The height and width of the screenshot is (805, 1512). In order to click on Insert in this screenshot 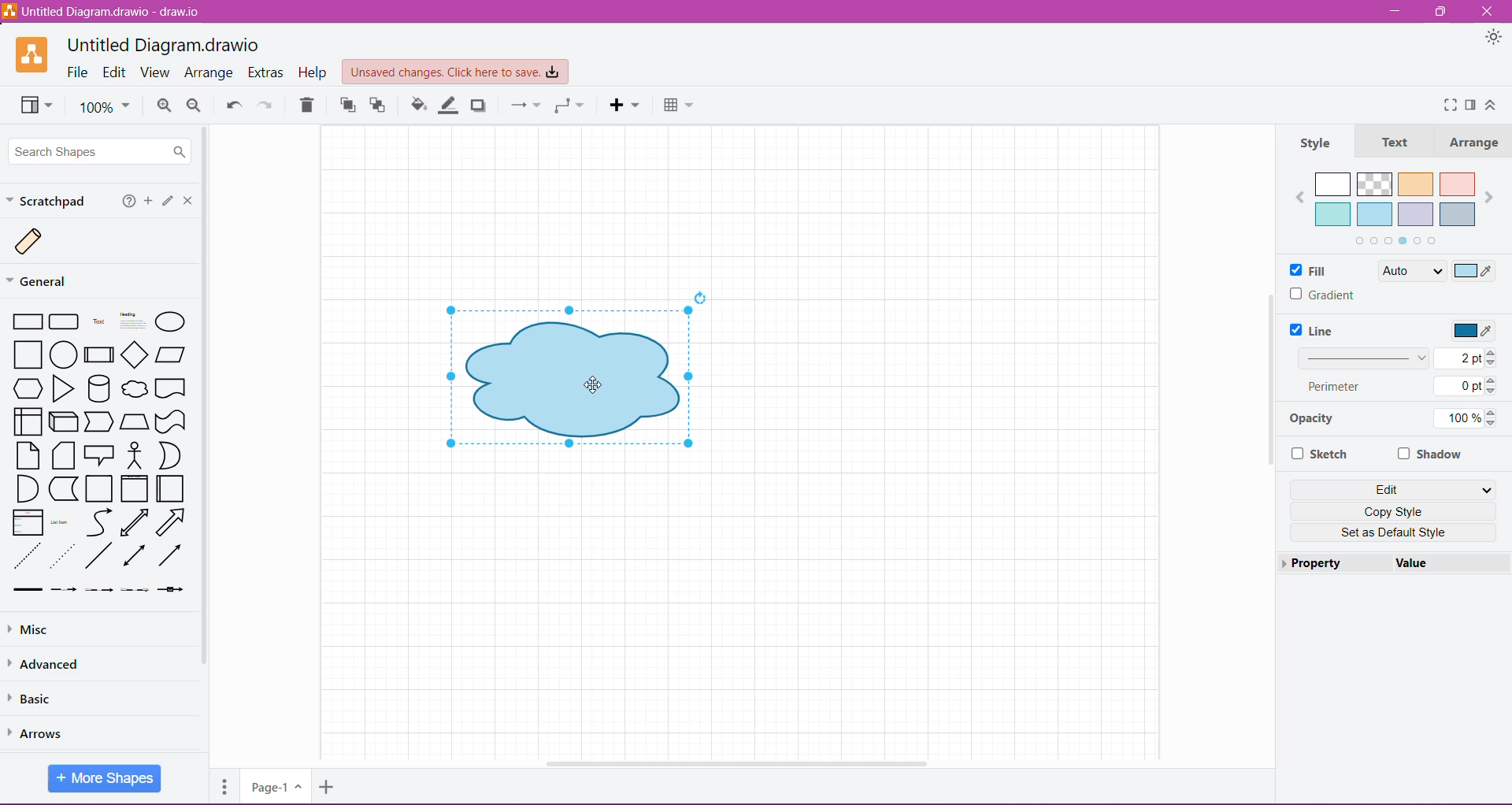, I will do `click(625, 106)`.